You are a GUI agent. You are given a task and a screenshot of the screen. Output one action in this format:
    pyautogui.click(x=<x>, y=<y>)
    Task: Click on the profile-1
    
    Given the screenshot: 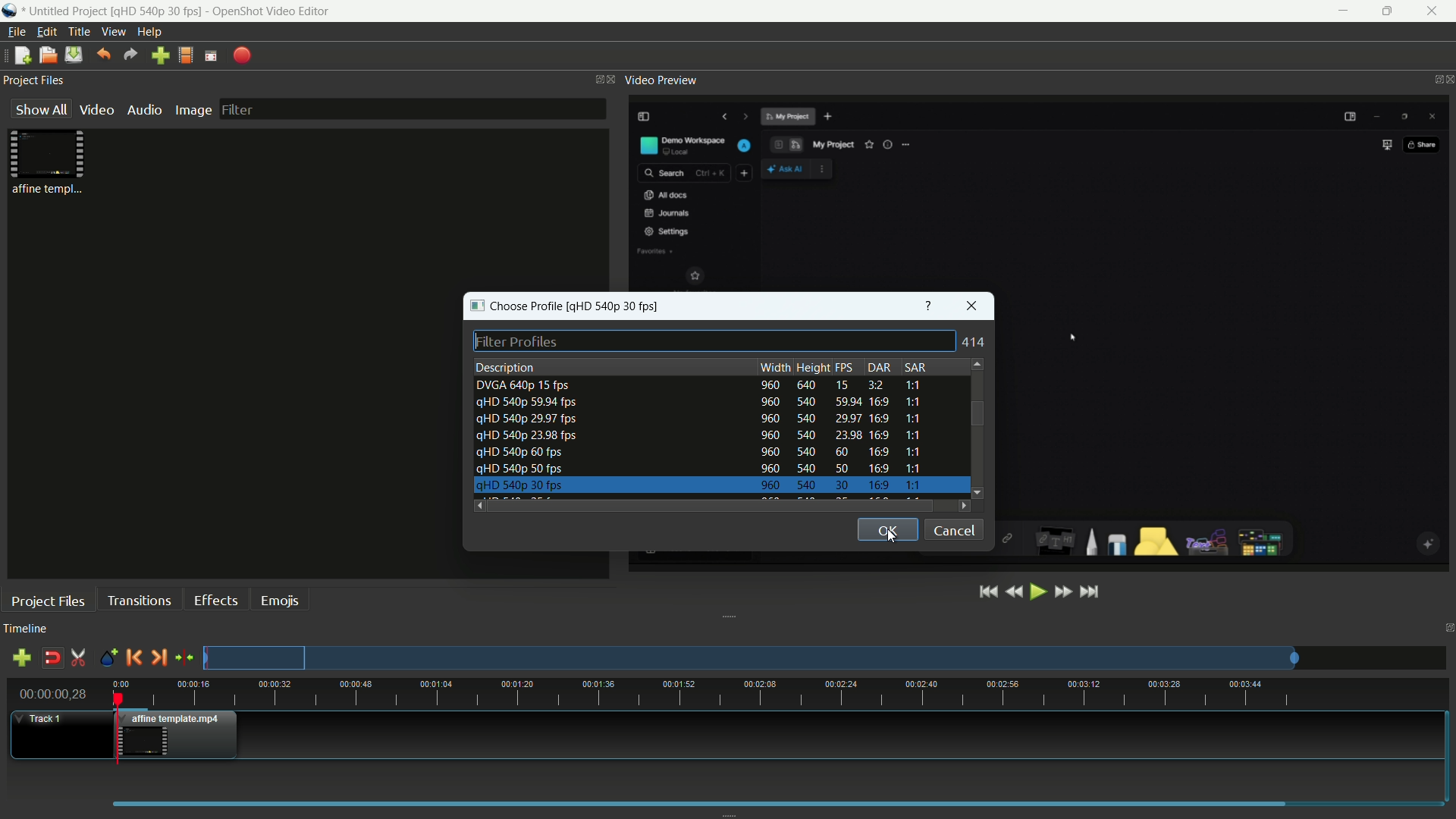 What is the action you would take?
    pyautogui.click(x=700, y=386)
    